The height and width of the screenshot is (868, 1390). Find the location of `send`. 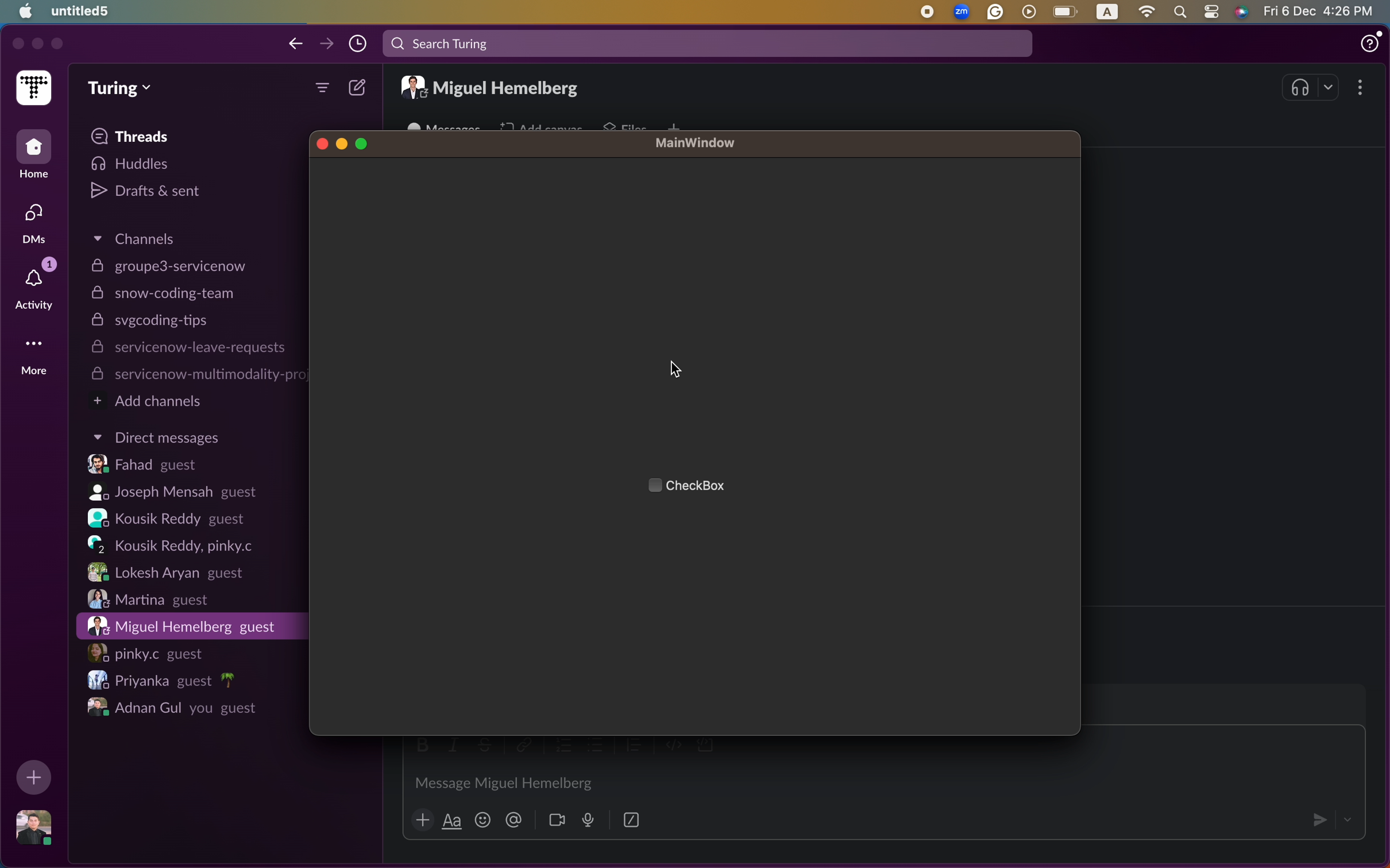

send is located at coordinates (1315, 818).